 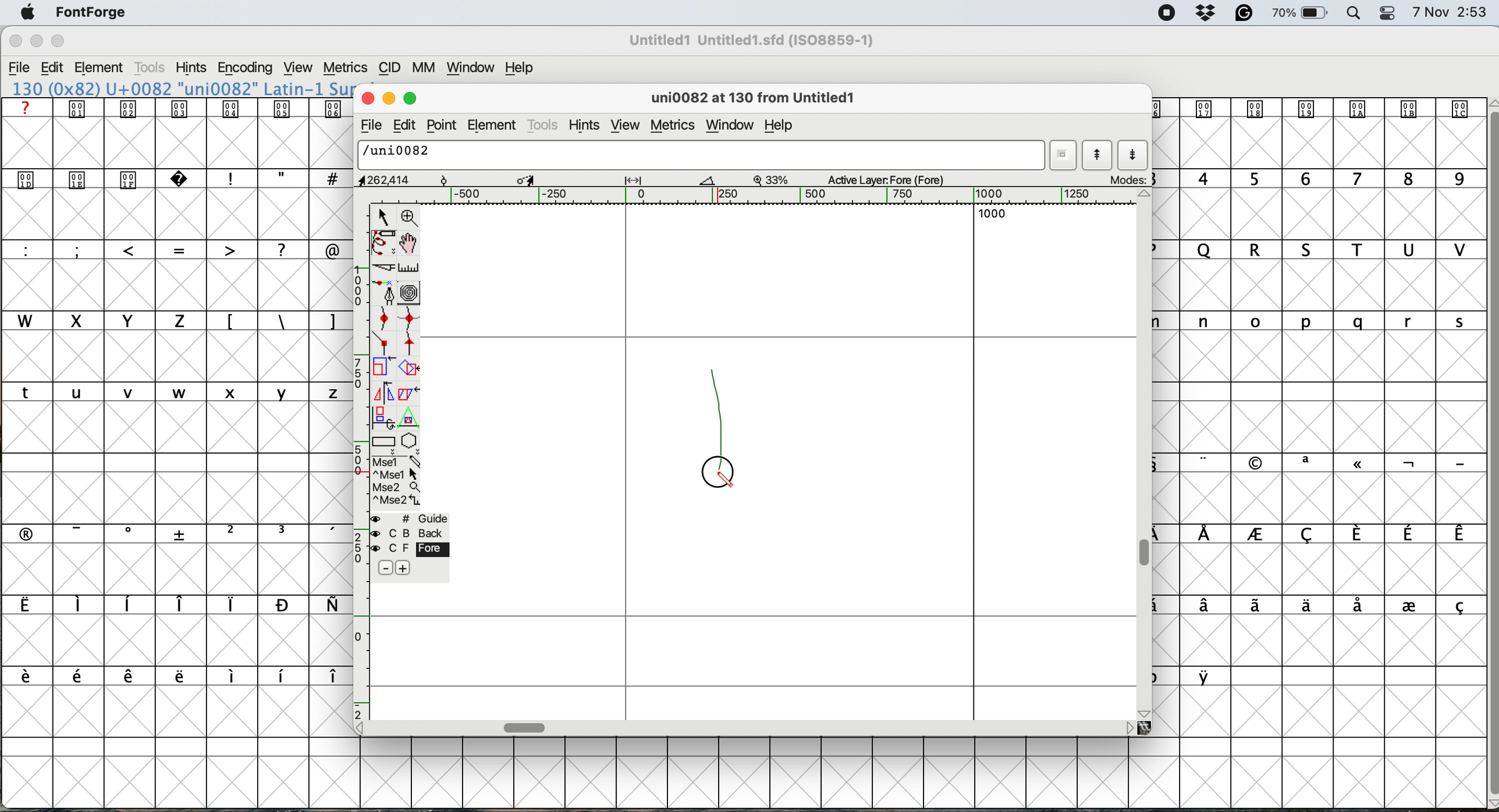 I want to click on lowercase letters, so click(x=171, y=393).